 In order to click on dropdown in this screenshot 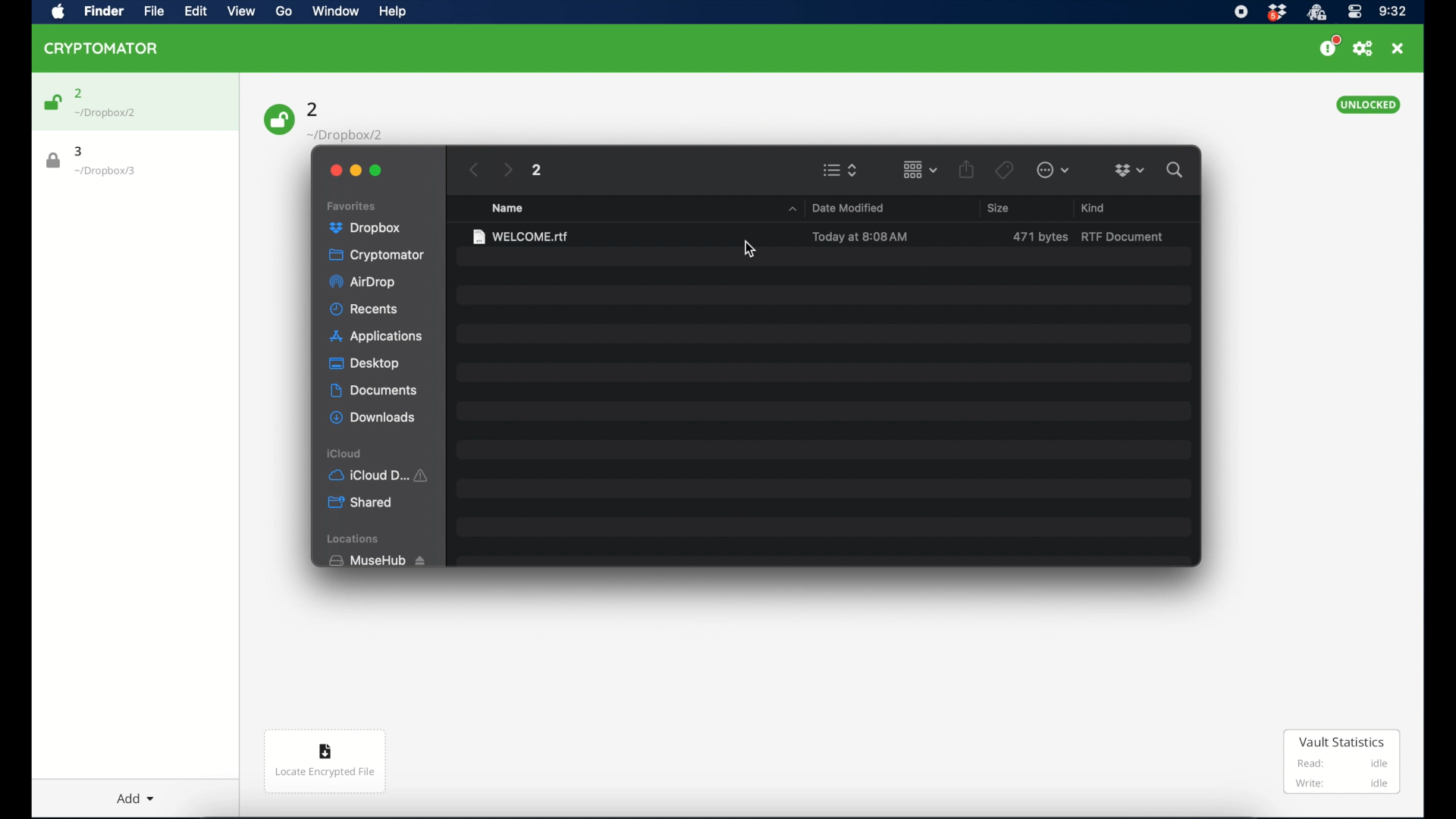, I will do `click(792, 209)`.